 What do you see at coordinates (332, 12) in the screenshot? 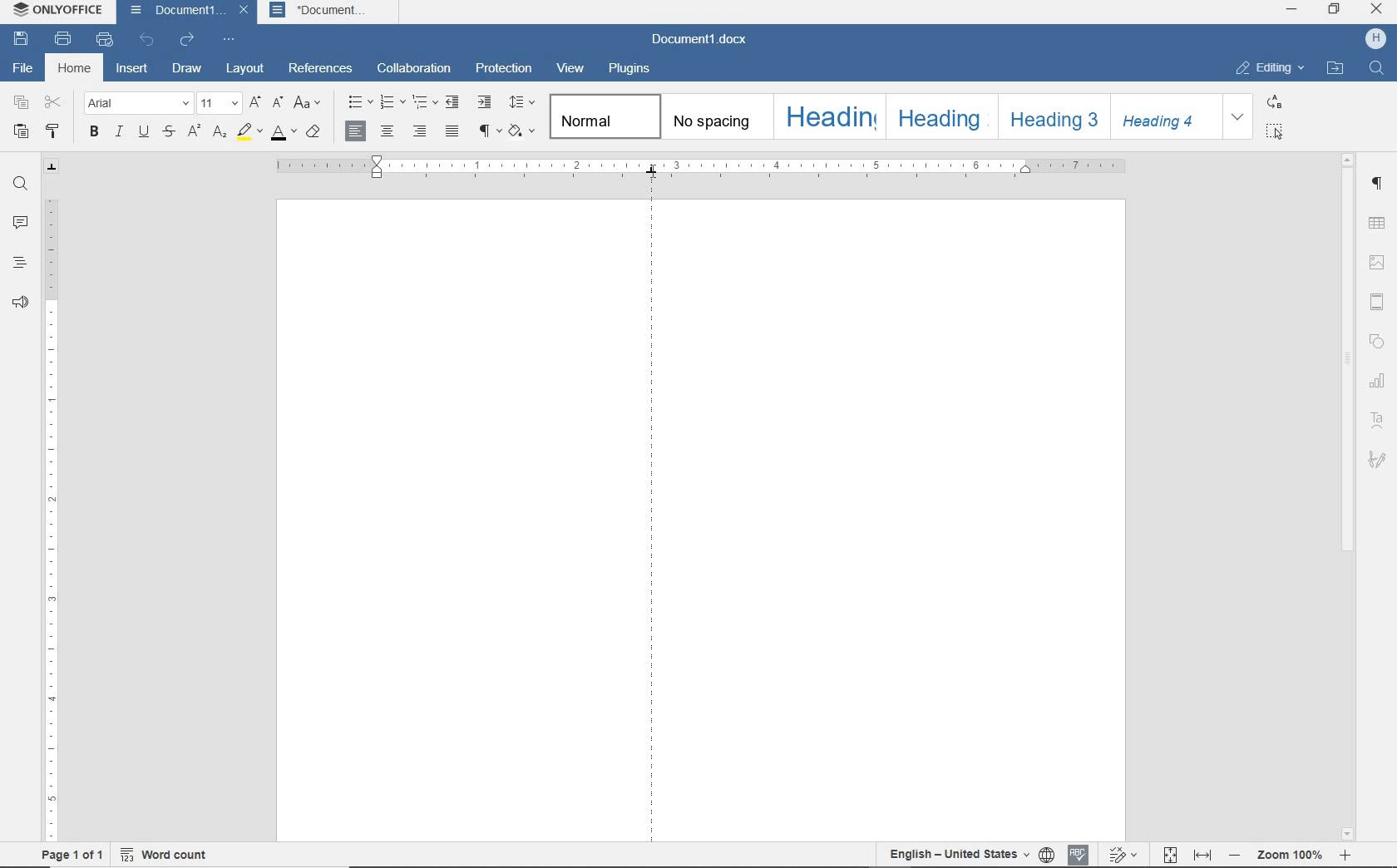
I see `document..` at bounding box center [332, 12].